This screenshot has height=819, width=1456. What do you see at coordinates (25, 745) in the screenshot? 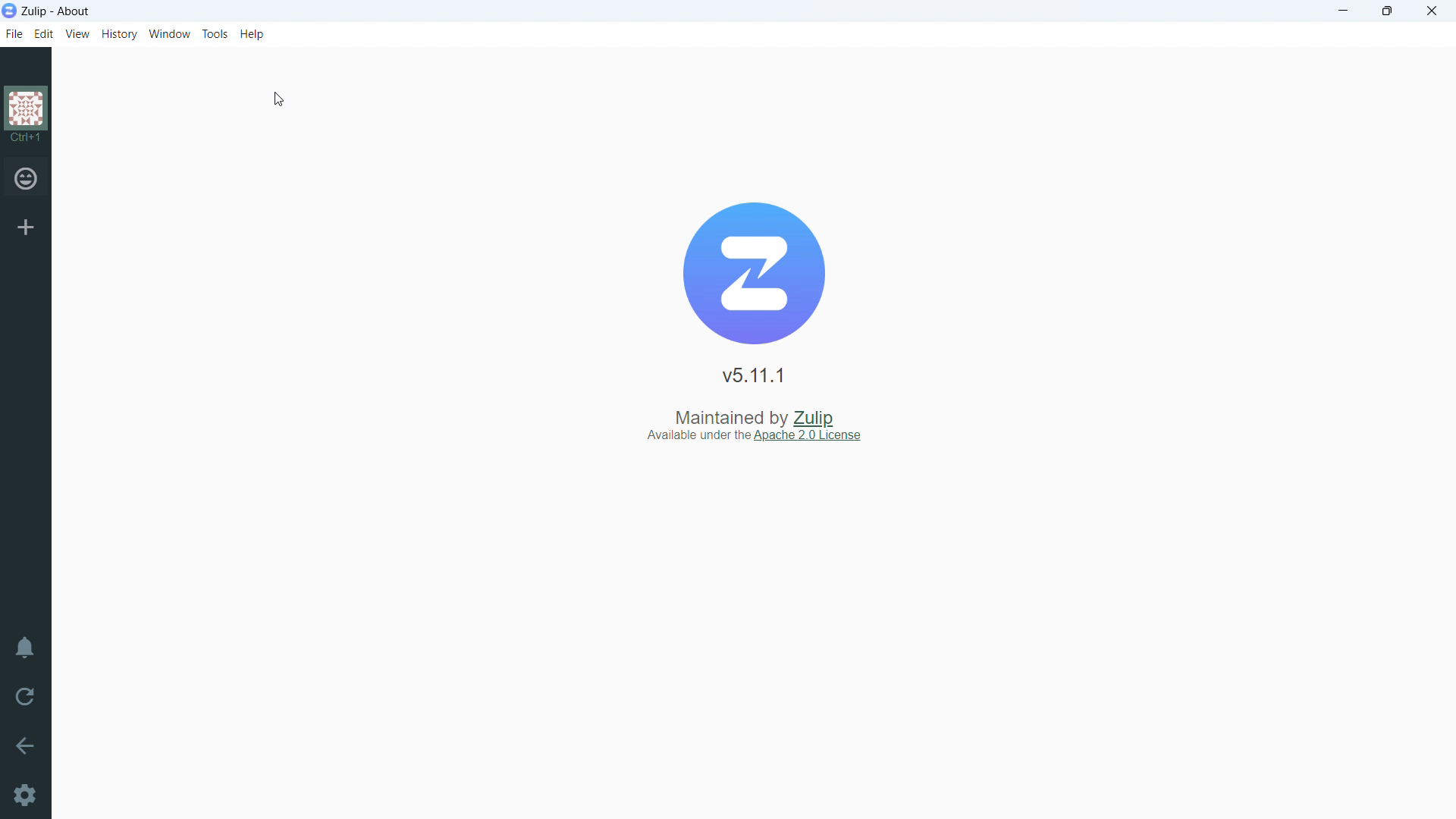
I see `go back` at bounding box center [25, 745].